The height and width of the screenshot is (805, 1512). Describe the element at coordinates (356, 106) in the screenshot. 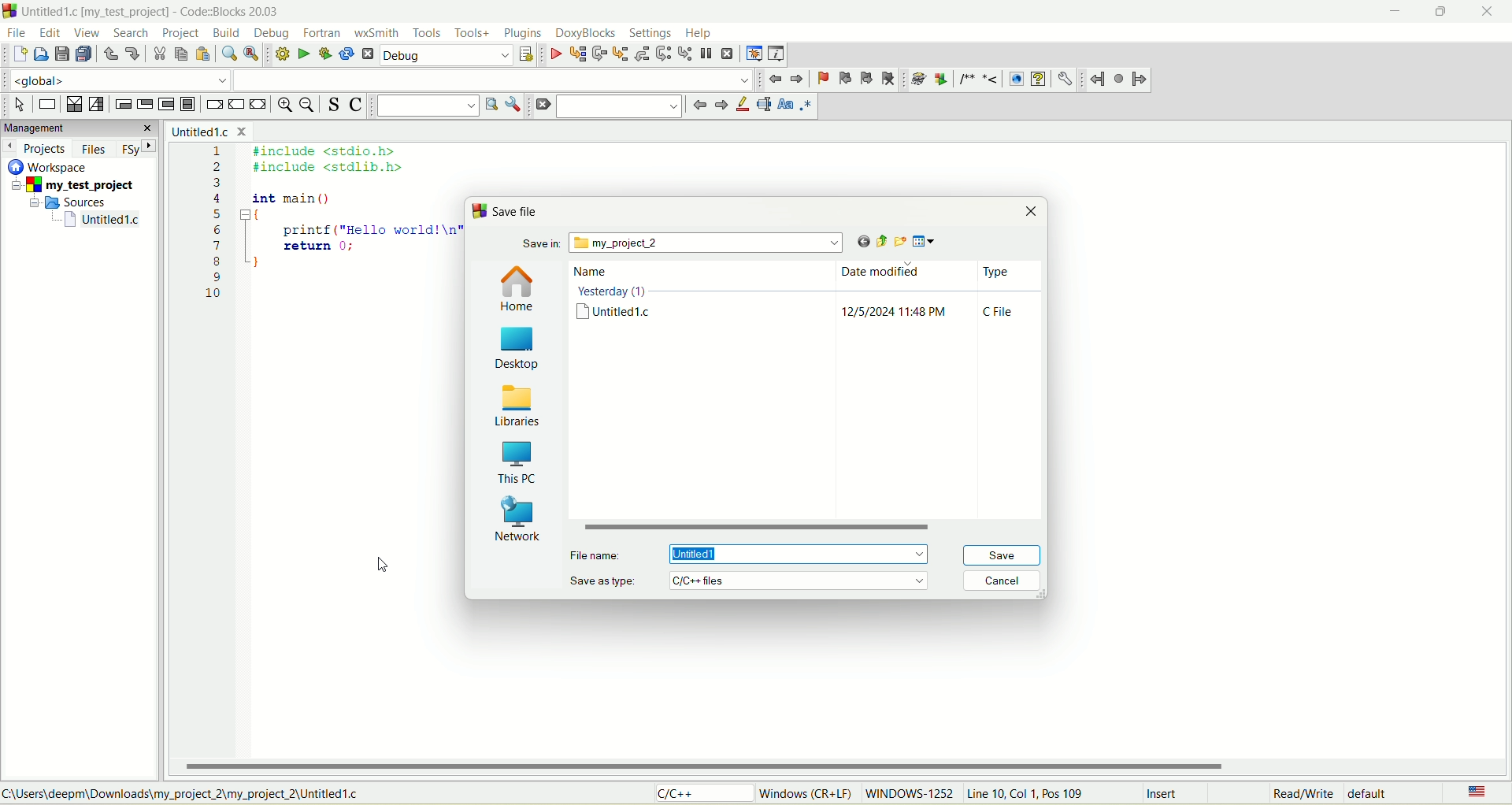

I see `toggle comment` at that location.